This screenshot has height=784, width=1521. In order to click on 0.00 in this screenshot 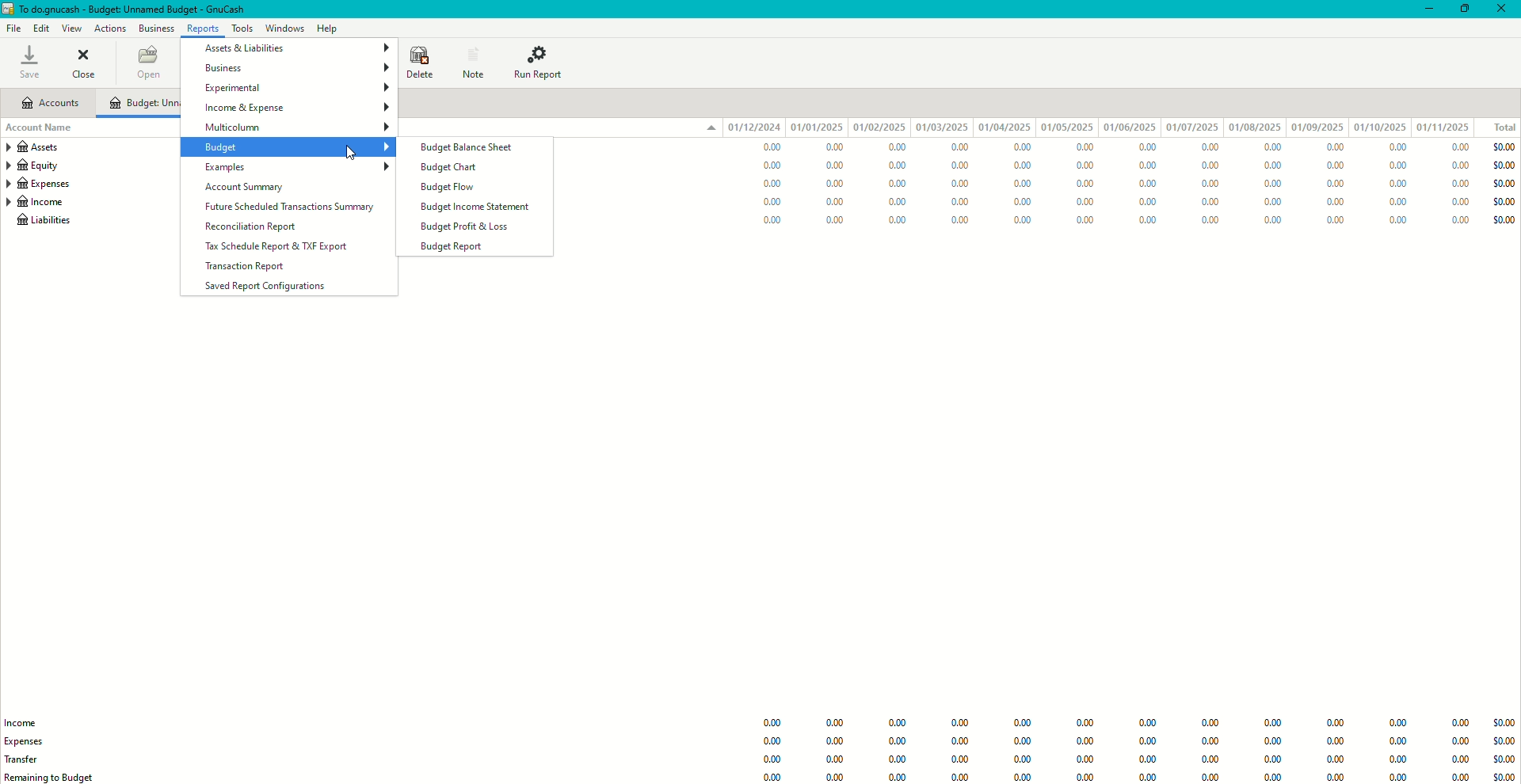, I will do `click(1398, 219)`.